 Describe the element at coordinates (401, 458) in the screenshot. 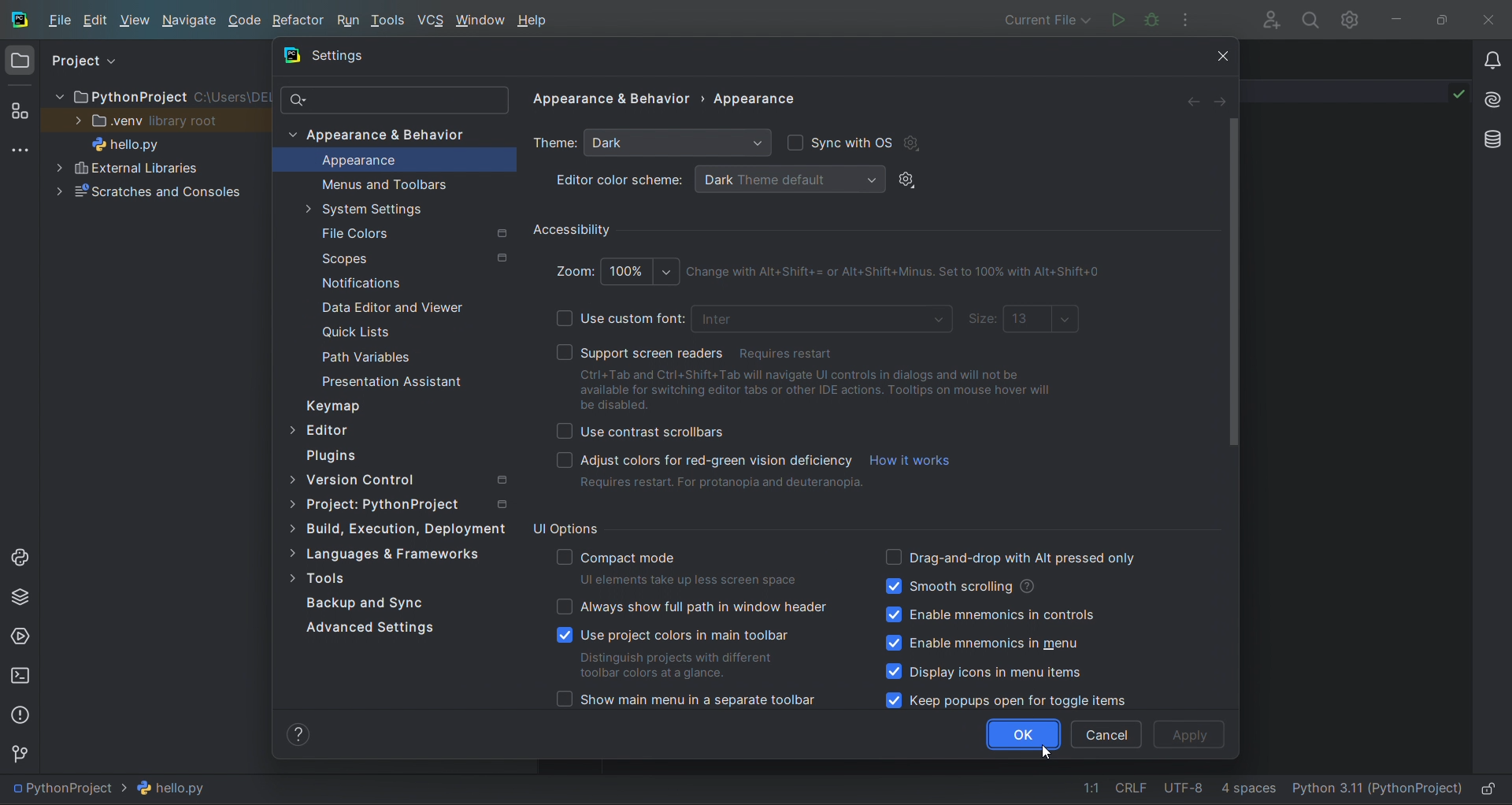

I see `plugins option` at that location.